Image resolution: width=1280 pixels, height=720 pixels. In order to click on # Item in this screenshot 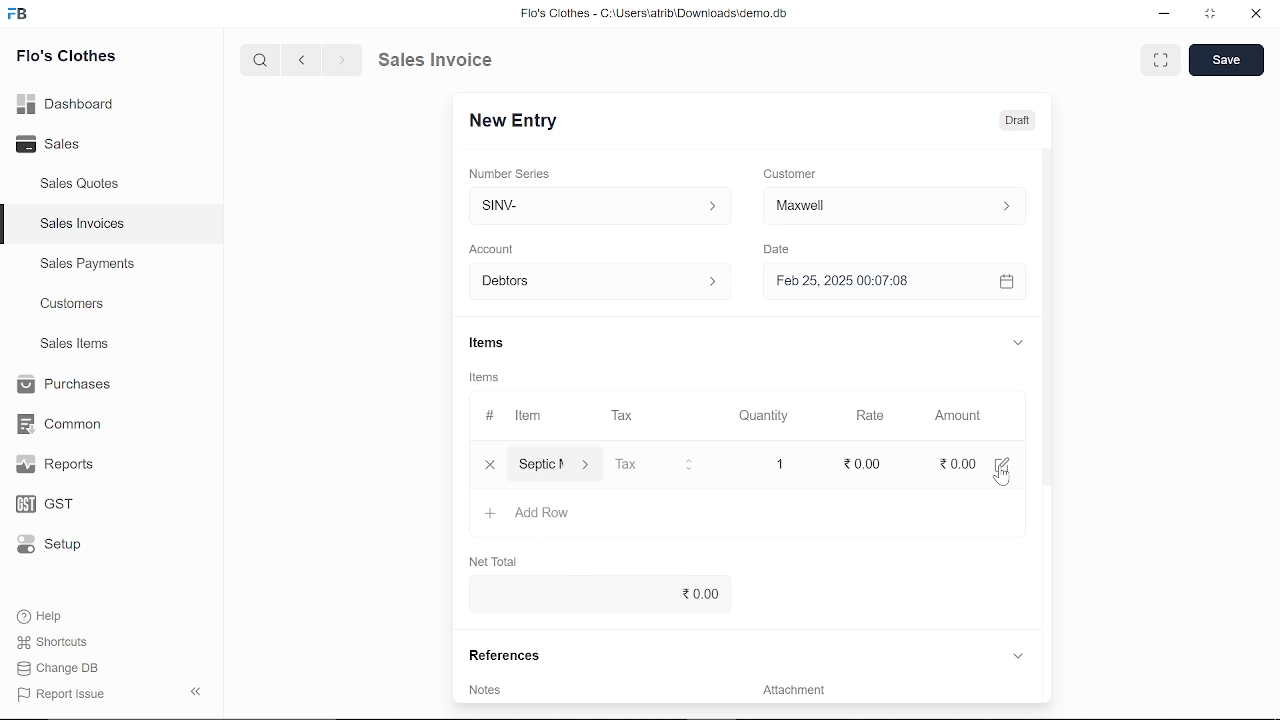, I will do `click(513, 417)`.